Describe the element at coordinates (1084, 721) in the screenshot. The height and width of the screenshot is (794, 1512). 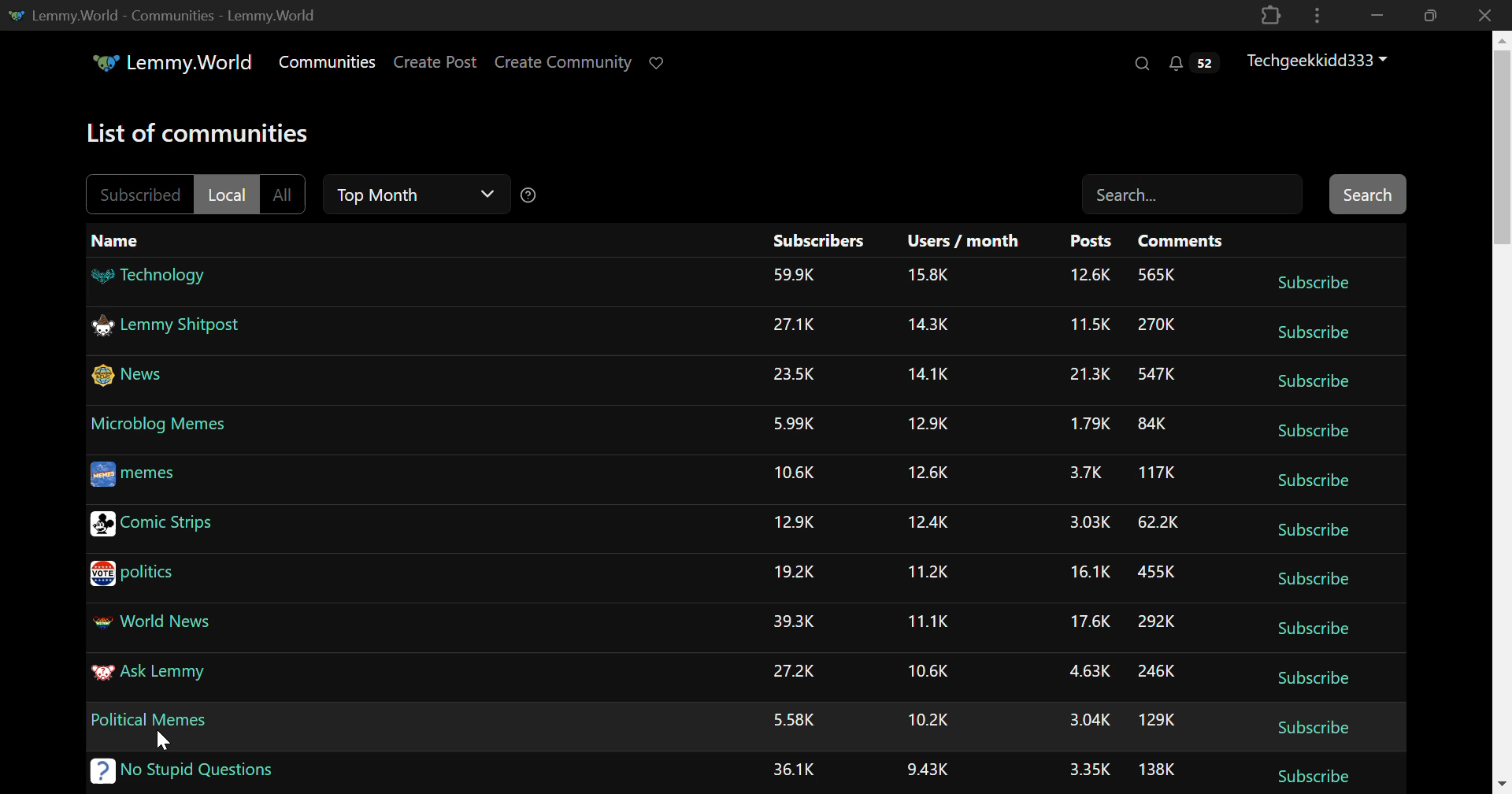
I see `Amount` at that location.